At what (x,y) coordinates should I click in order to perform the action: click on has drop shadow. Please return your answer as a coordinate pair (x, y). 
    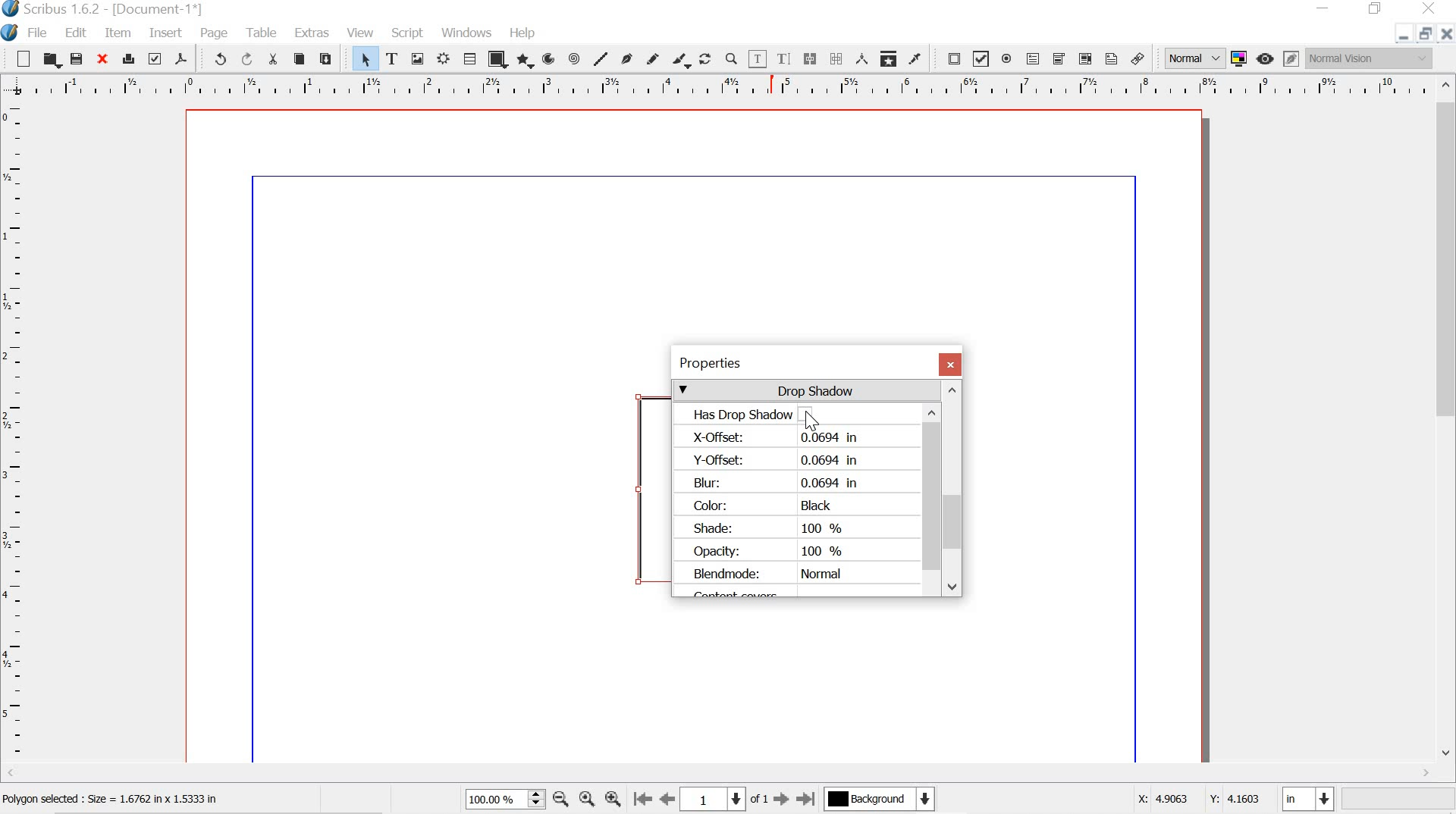
    Looking at the image, I should click on (799, 414).